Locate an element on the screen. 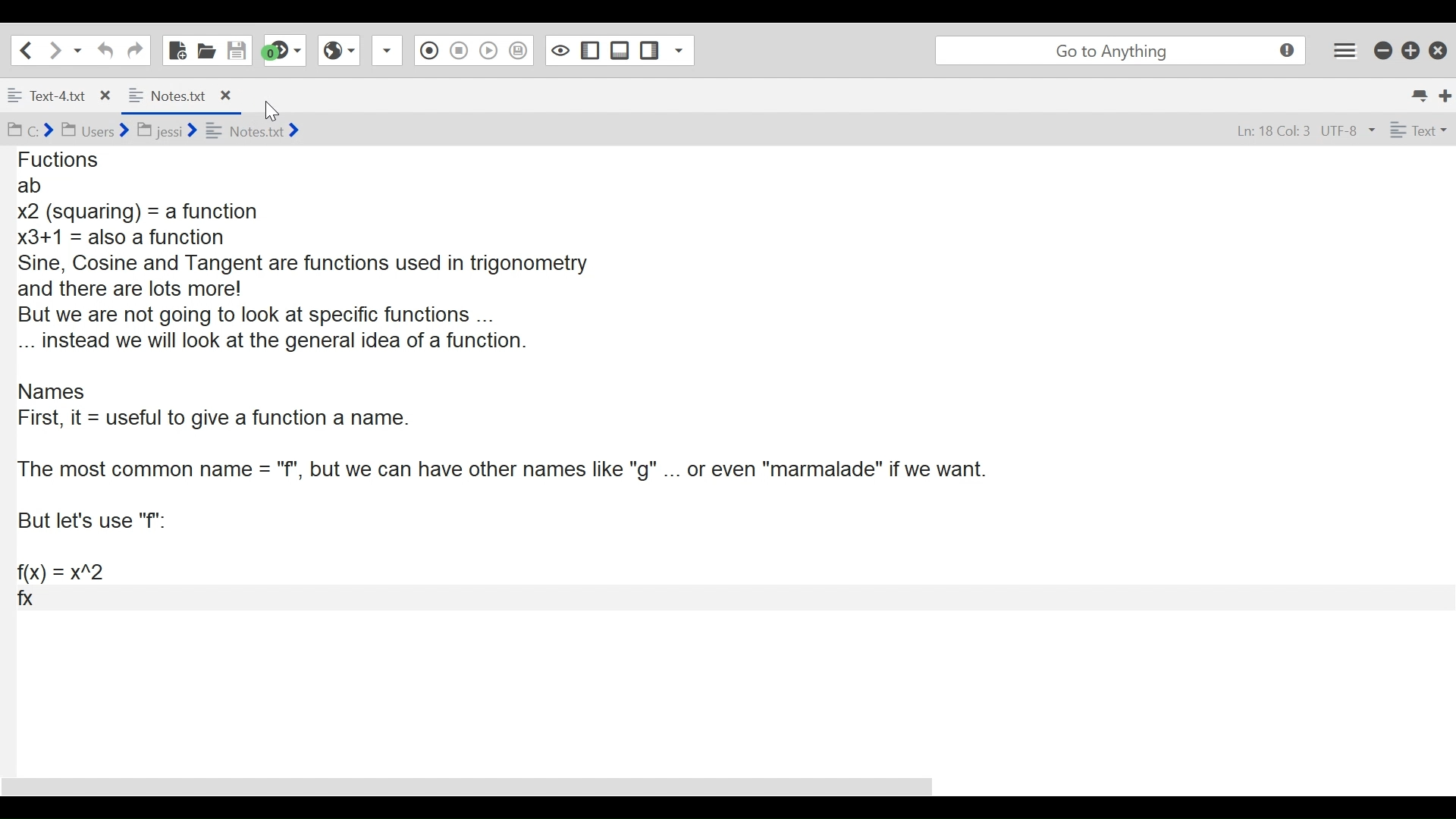  Application menu is located at coordinates (1346, 50).